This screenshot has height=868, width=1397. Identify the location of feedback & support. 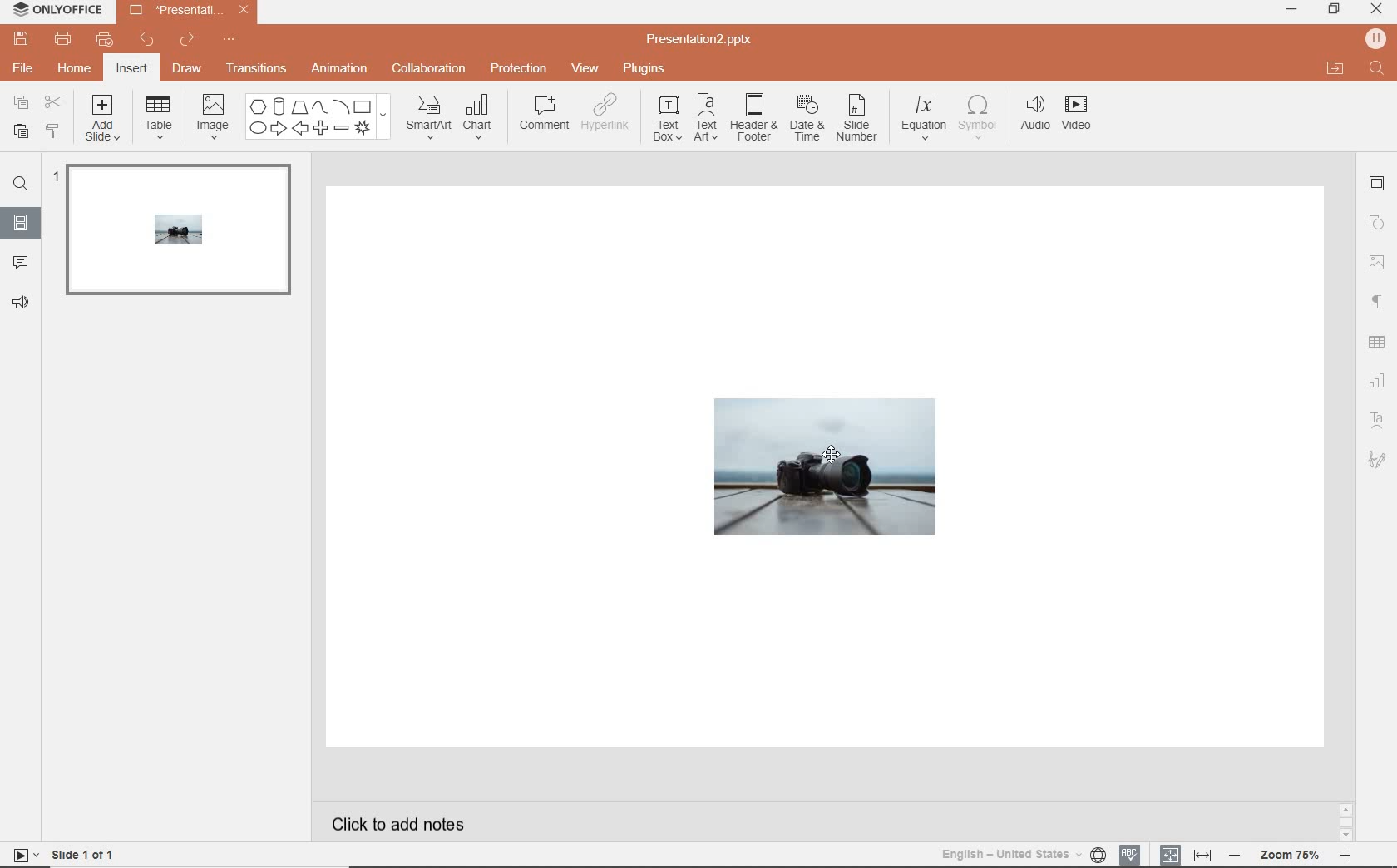
(21, 303).